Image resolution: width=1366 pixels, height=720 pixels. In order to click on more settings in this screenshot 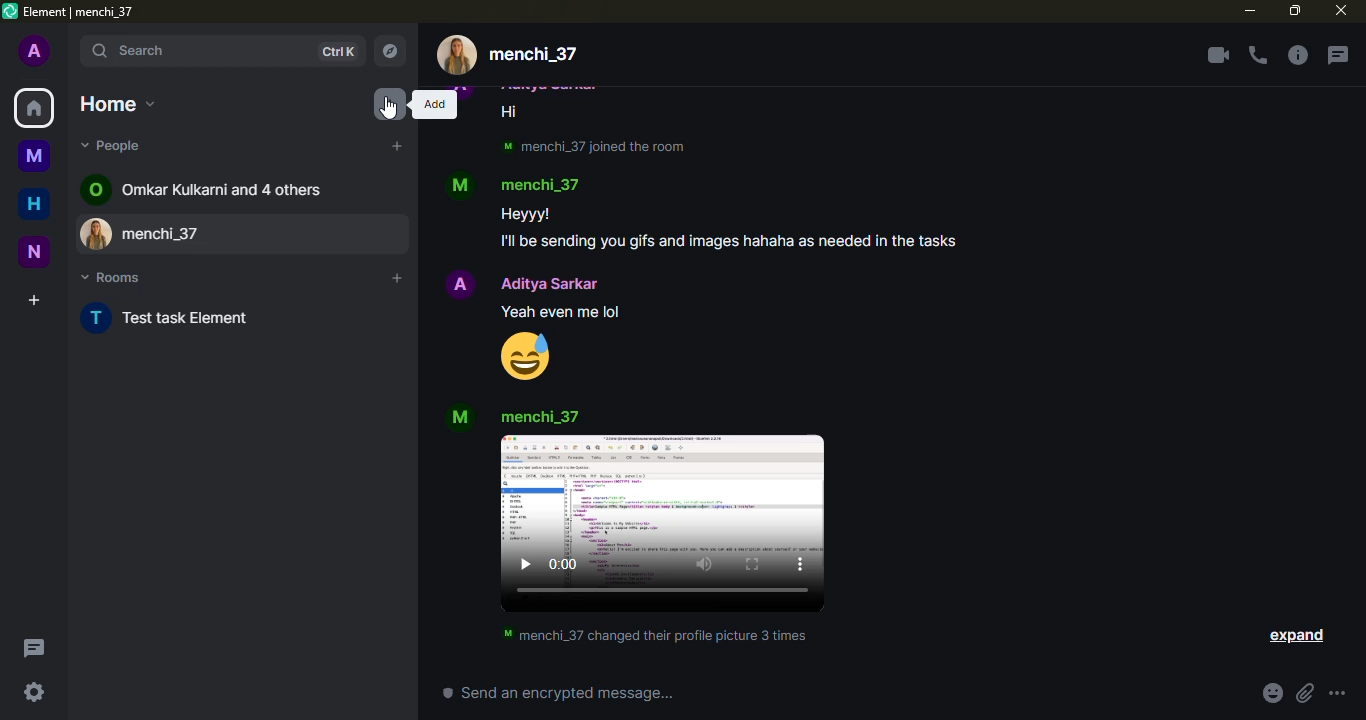, I will do `click(1337, 693)`.